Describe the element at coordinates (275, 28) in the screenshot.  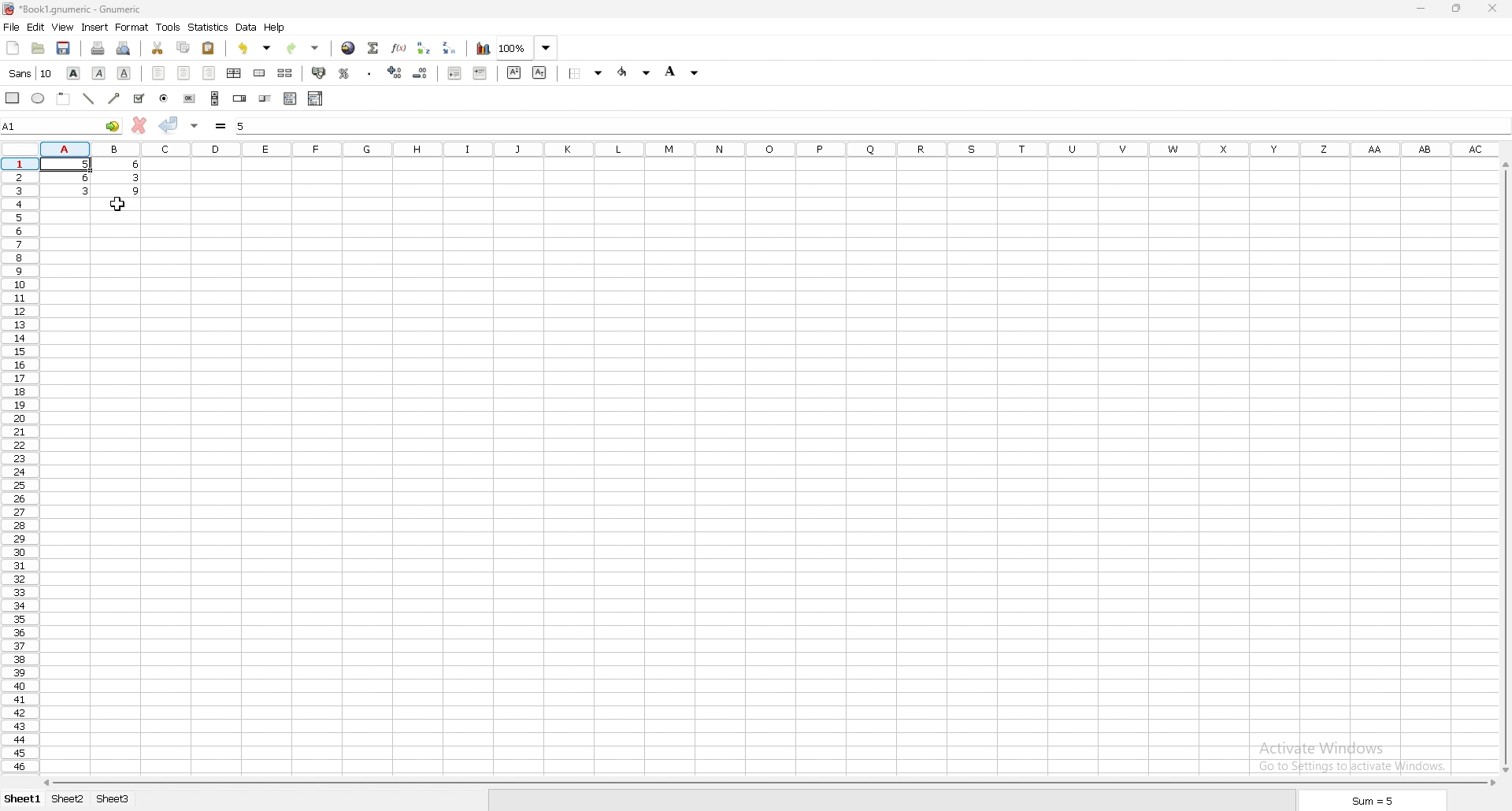
I see `help` at that location.